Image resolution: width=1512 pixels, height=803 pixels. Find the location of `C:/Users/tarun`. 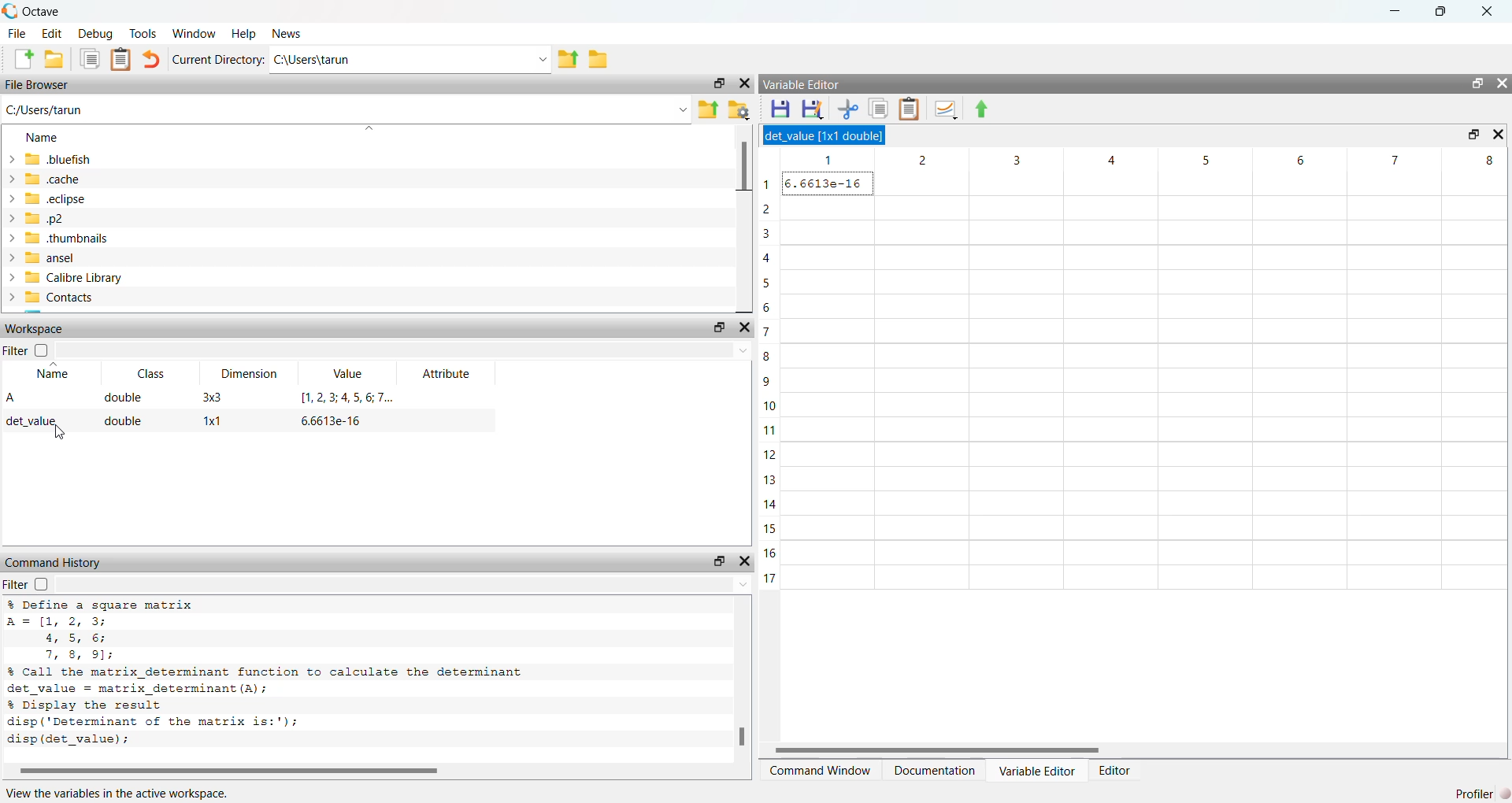

C:/Users/tarun is located at coordinates (346, 112).